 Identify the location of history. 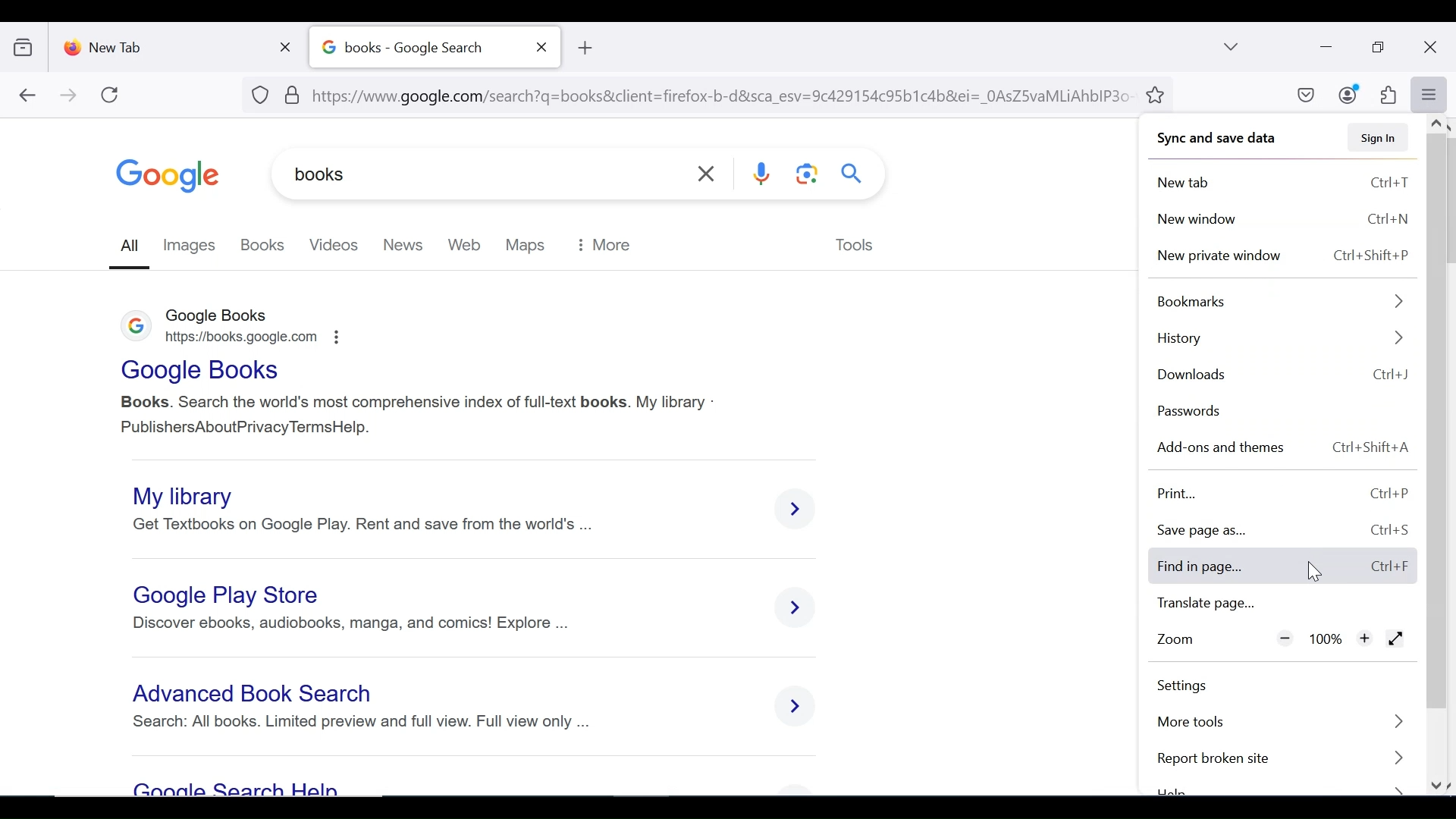
(1282, 337).